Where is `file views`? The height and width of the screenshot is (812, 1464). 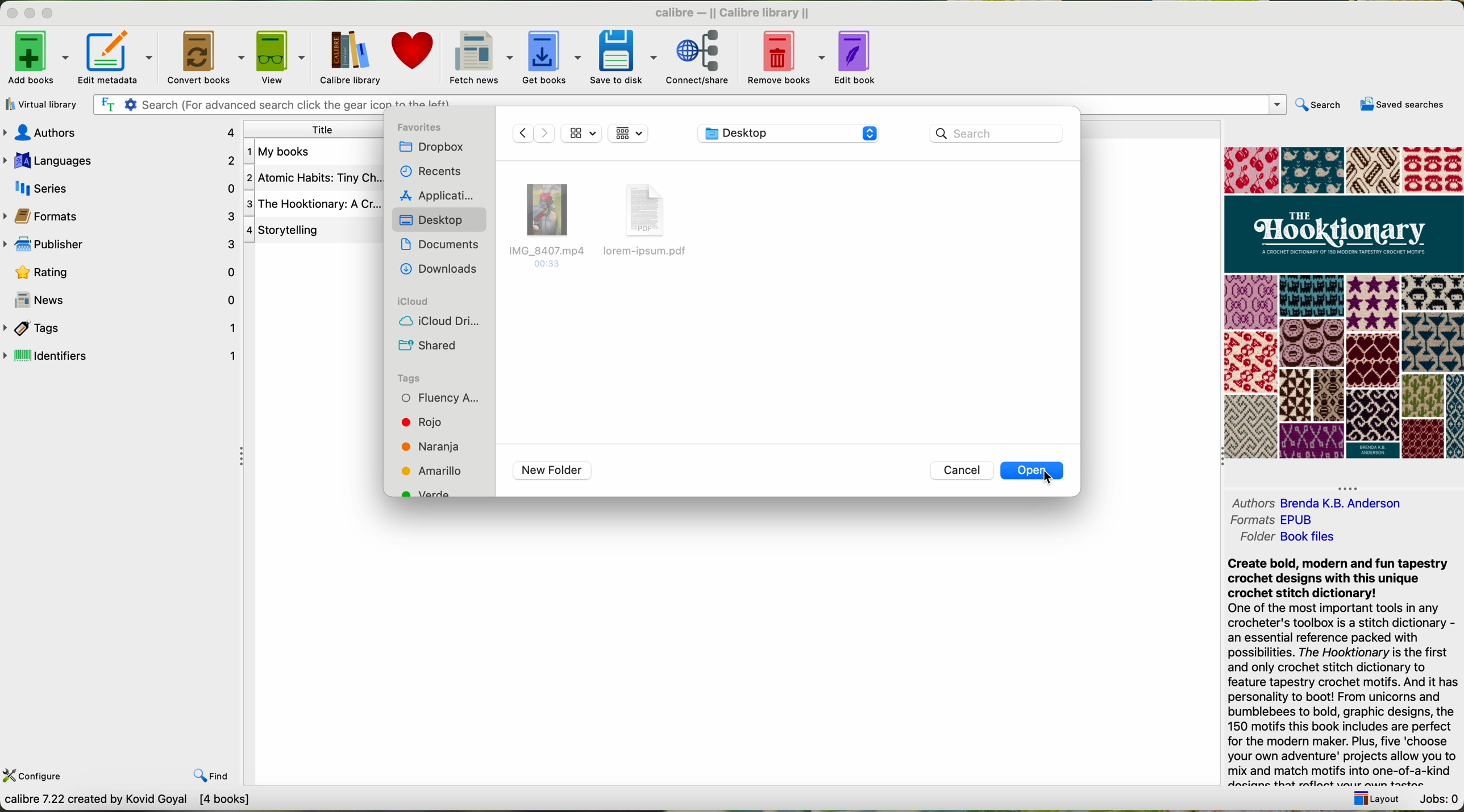
file views is located at coordinates (627, 134).